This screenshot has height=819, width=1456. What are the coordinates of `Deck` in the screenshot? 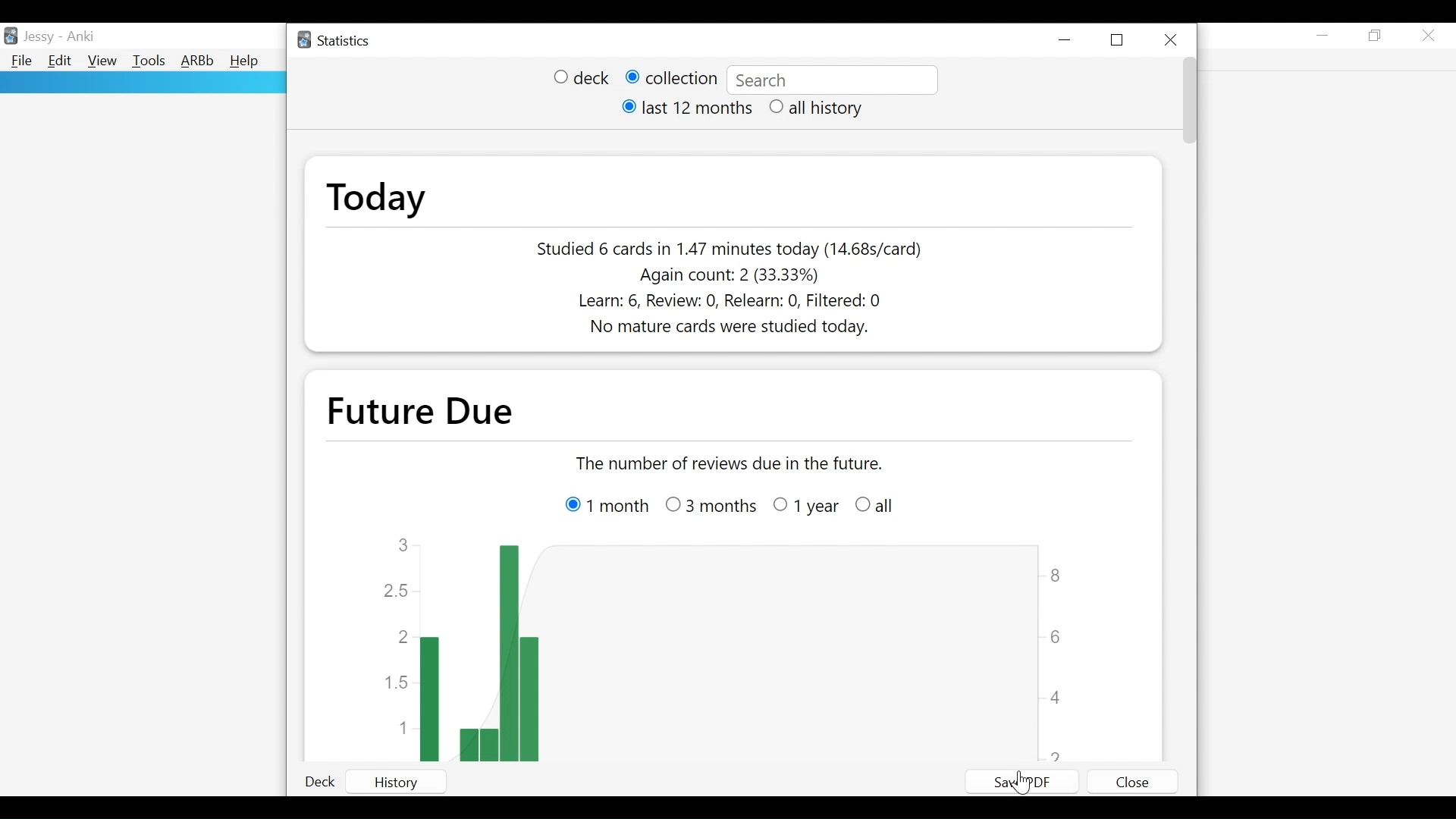 It's located at (325, 783).